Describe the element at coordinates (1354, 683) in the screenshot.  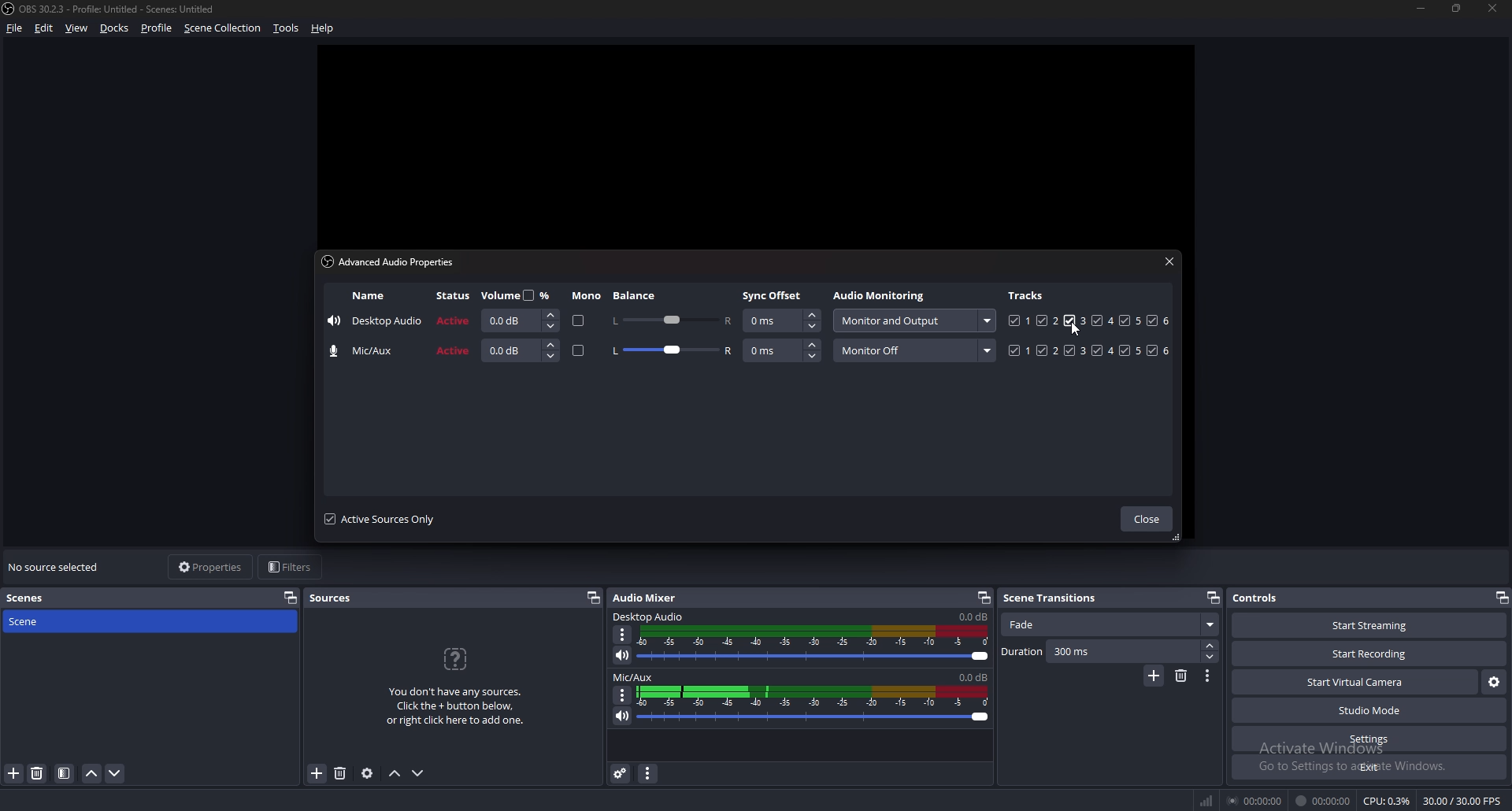
I see `start virtual camera` at that location.